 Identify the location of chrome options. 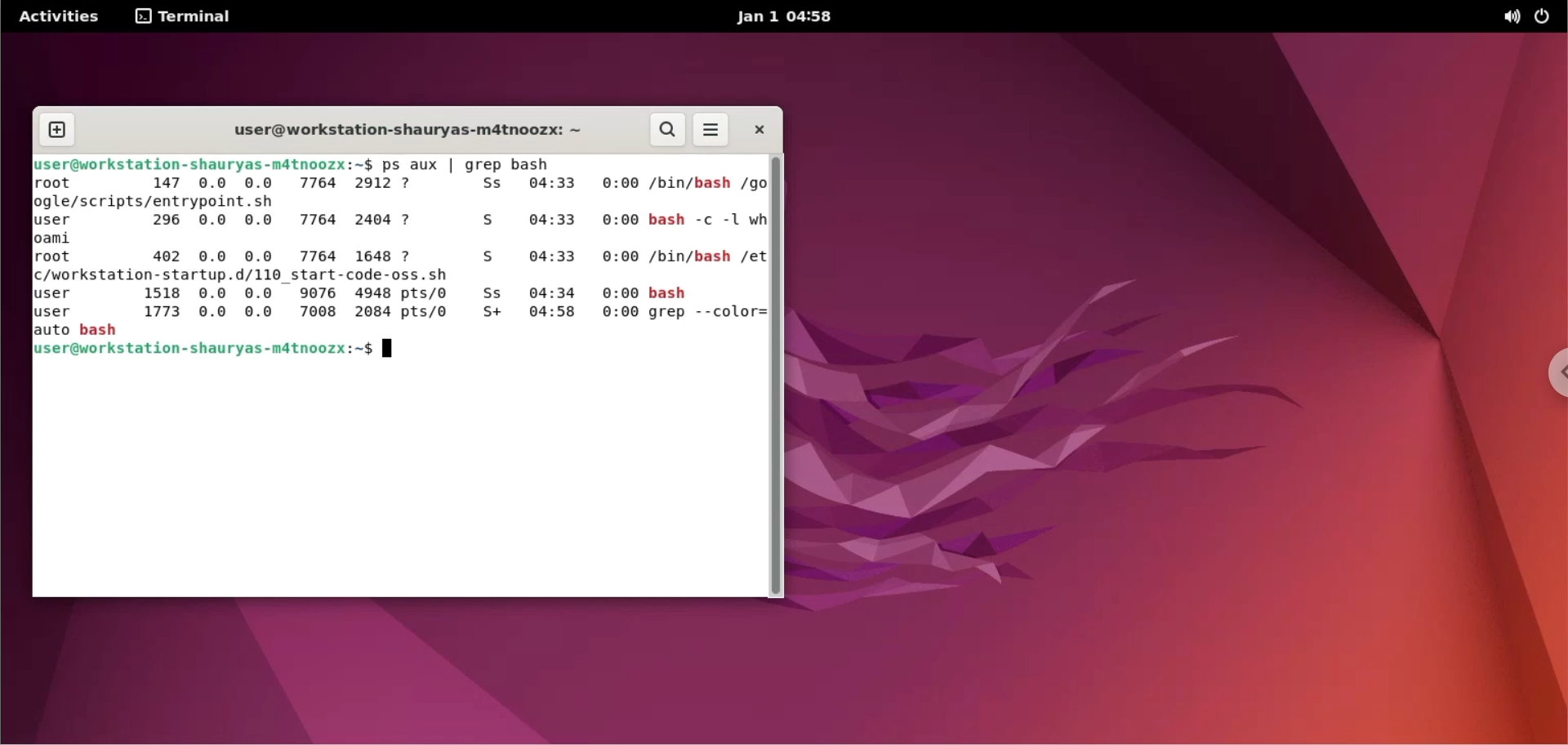
(1539, 377).